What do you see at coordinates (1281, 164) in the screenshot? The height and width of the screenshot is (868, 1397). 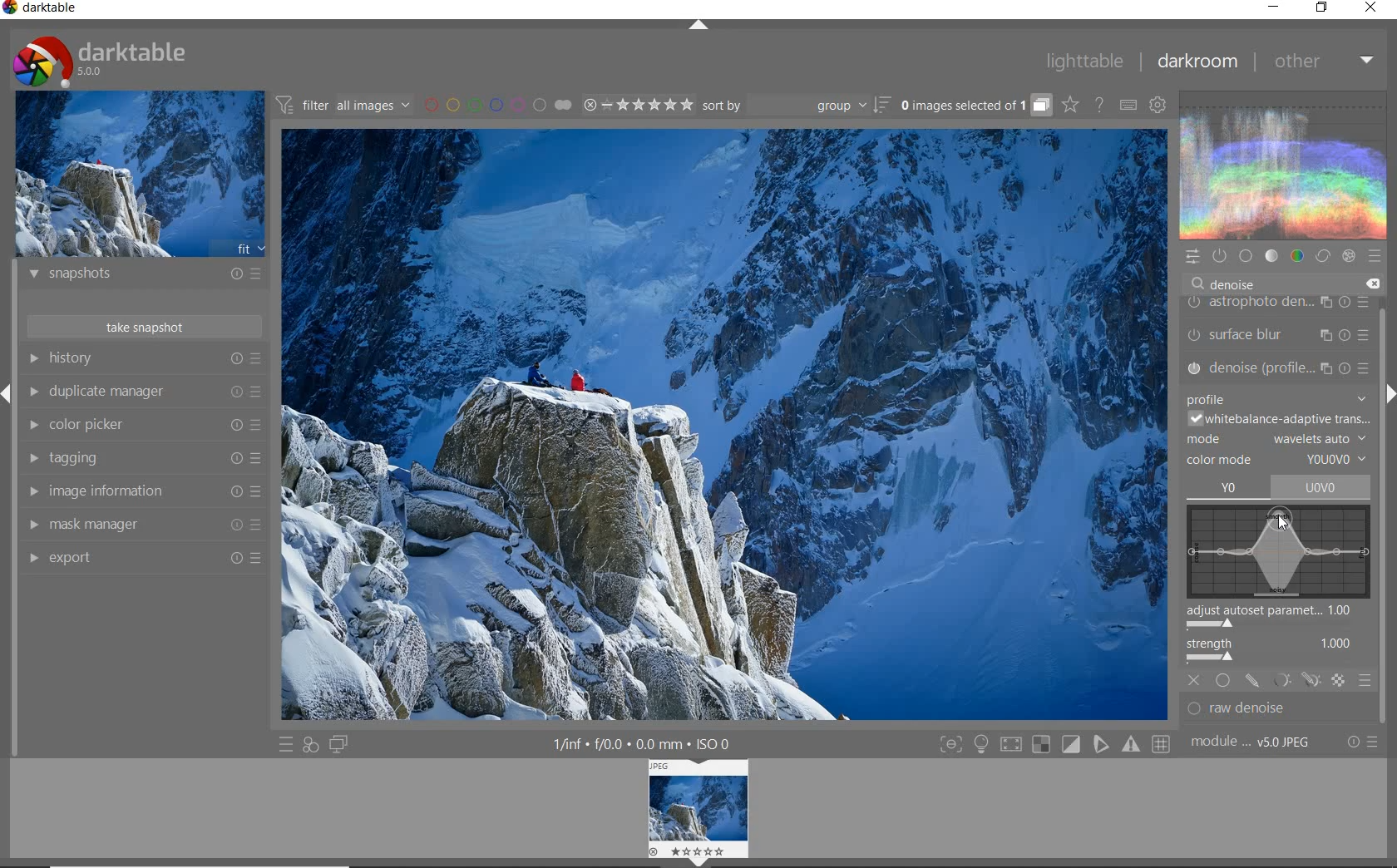 I see `waveform` at bounding box center [1281, 164].